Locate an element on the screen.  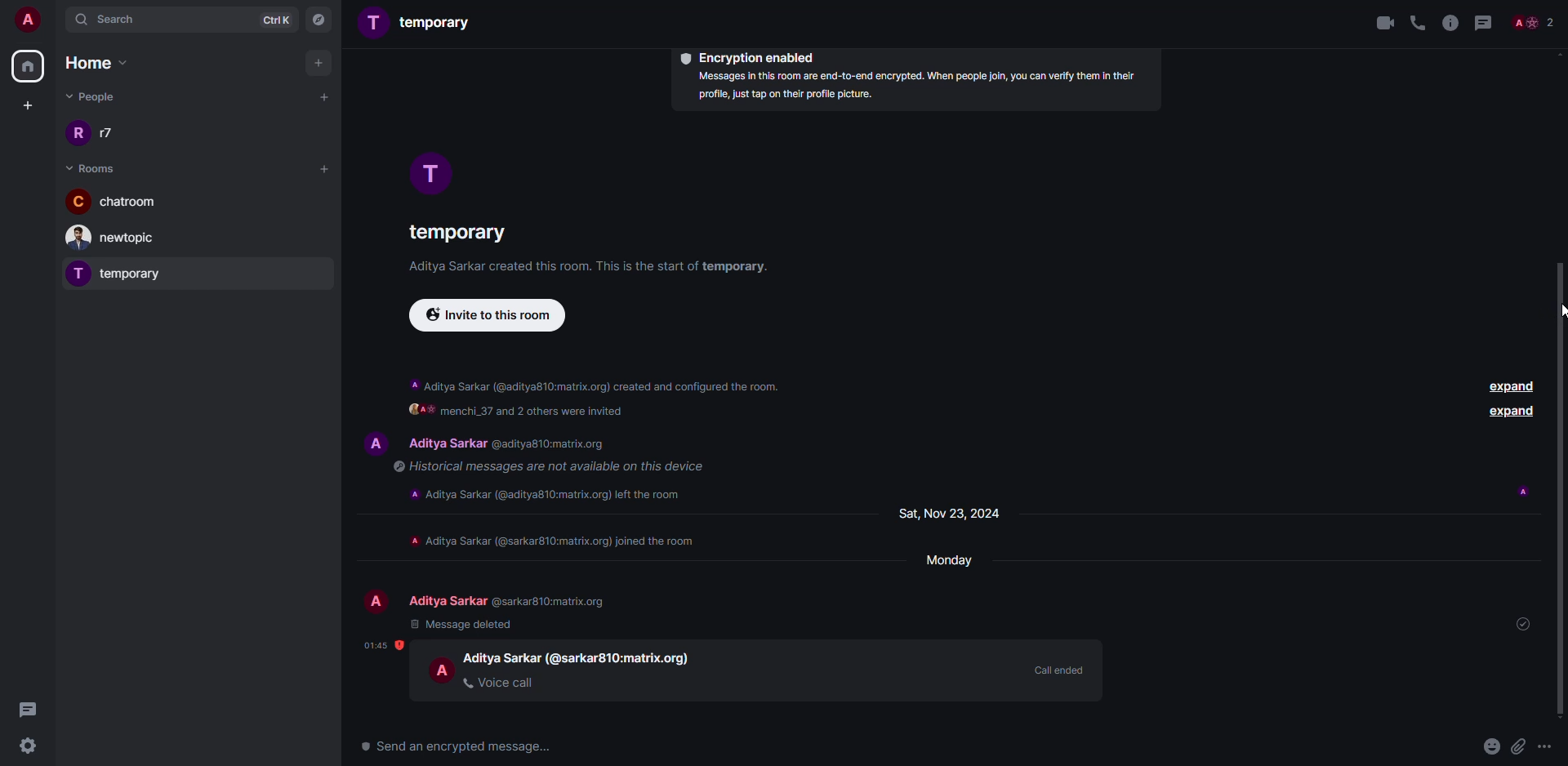
A Aditya Sarkar (@aditya810:matrix.org) created and configured the room.
@4# menchi_37 and 2 others were invited is located at coordinates (578, 397).